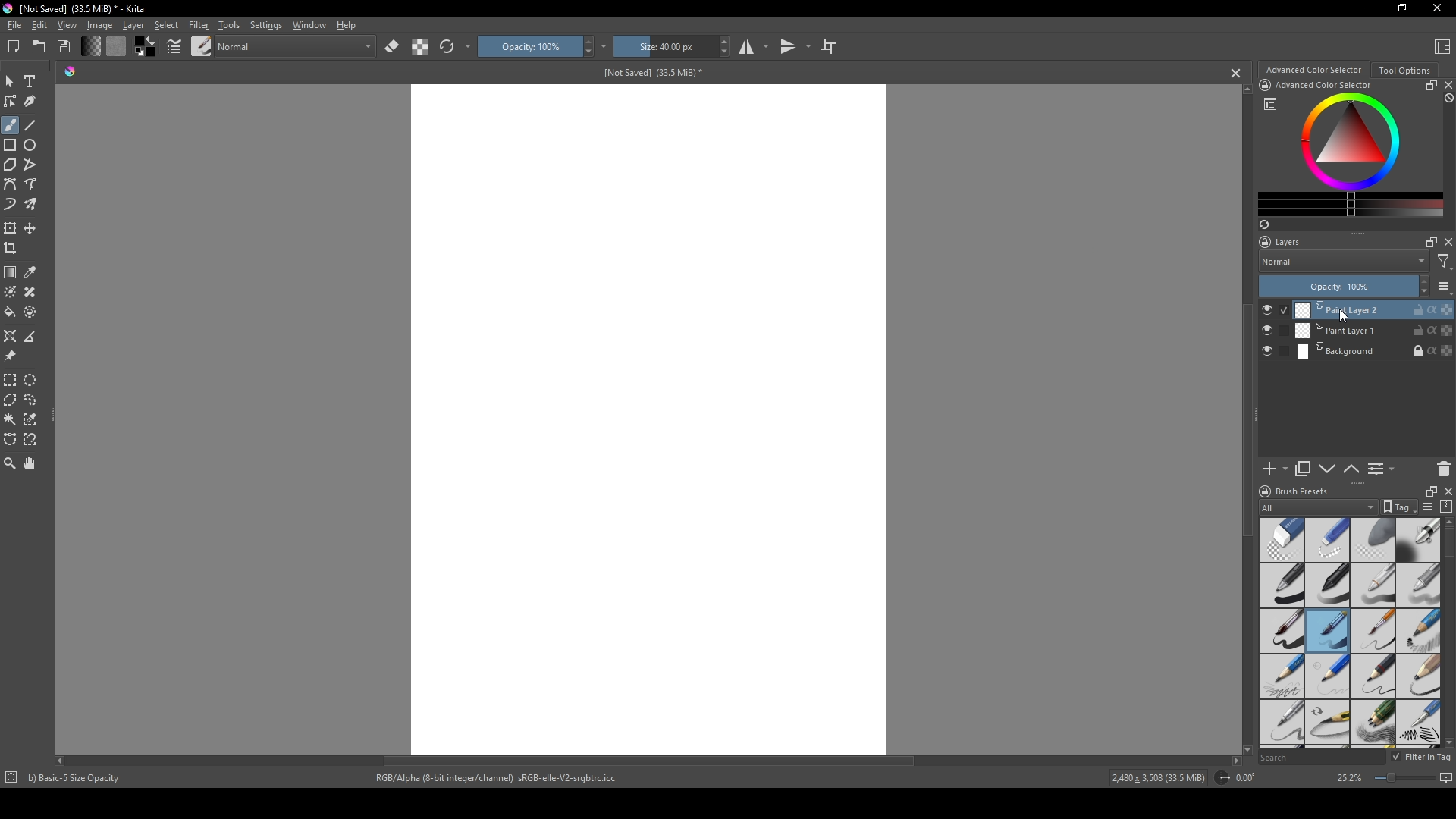  Describe the element at coordinates (32, 101) in the screenshot. I see `calligraphy` at that location.